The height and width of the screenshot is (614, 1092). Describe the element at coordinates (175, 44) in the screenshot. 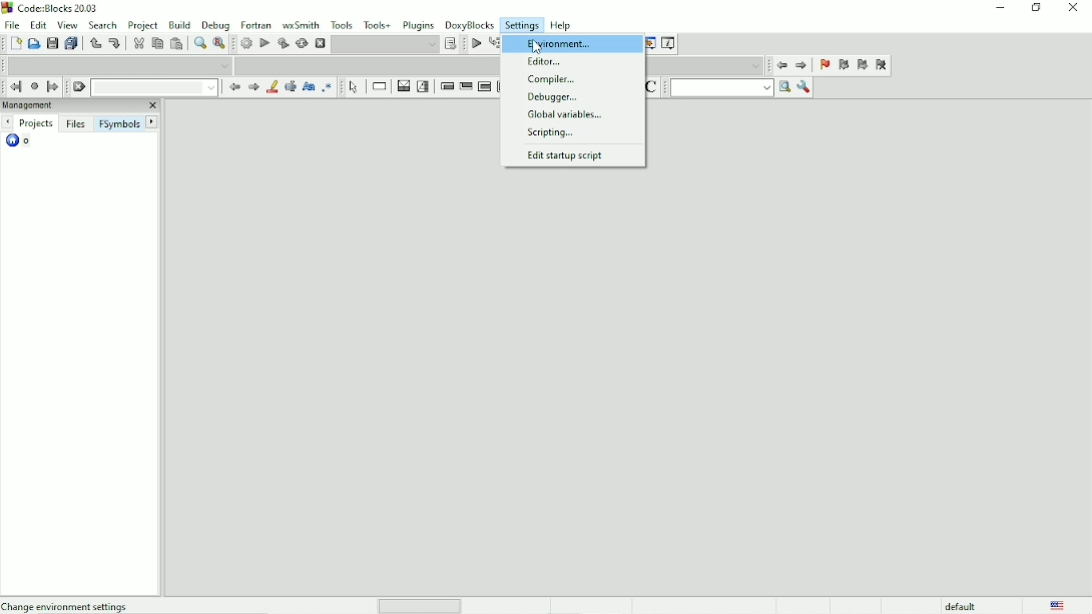

I see `Paste` at that location.